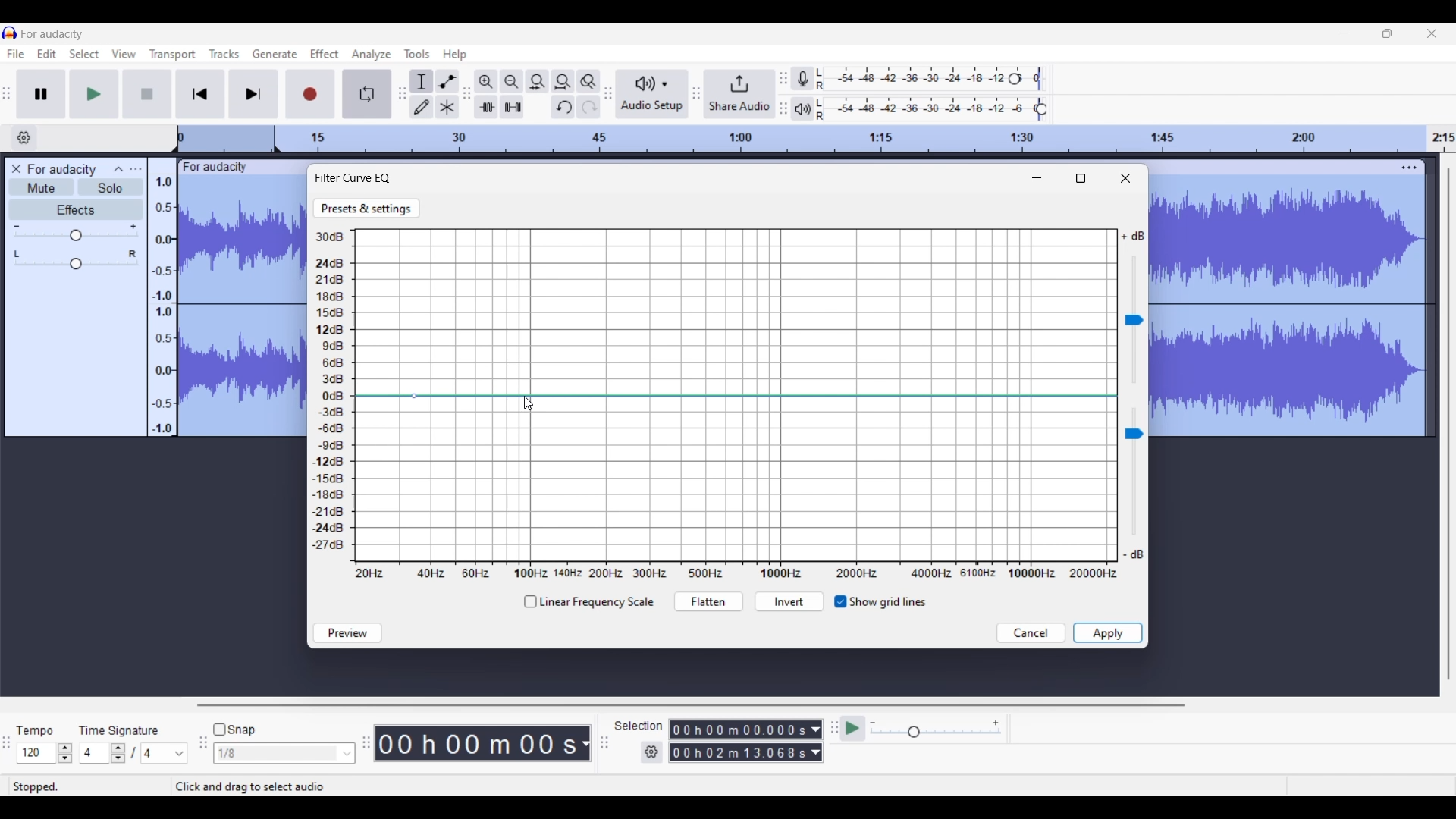 This screenshot has height=819, width=1456. I want to click on Horizontal slide bar, so click(691, 705).